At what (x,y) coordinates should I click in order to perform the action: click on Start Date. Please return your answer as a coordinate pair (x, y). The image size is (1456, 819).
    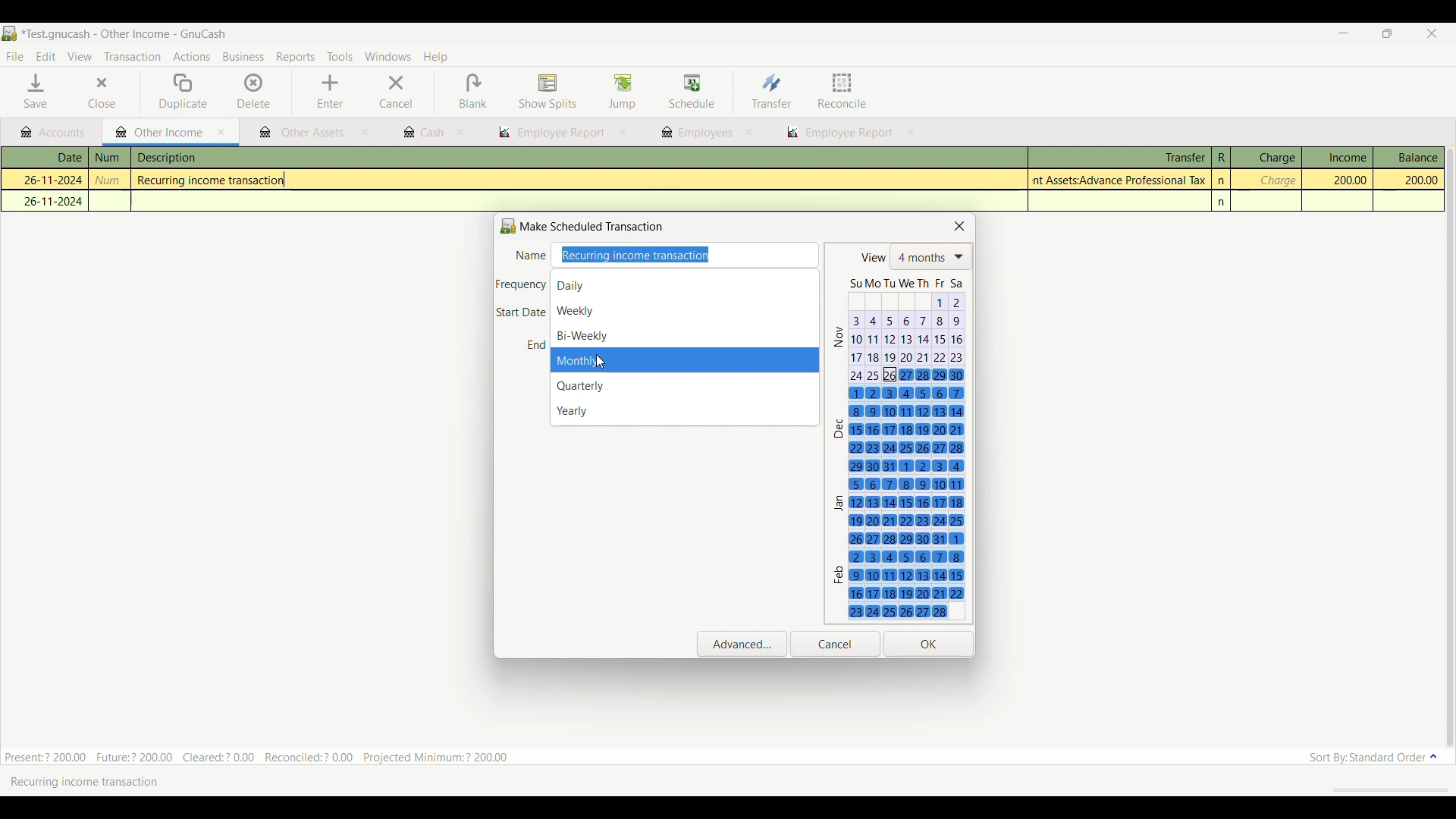
    Looking at the image, I should click on (521, 312).